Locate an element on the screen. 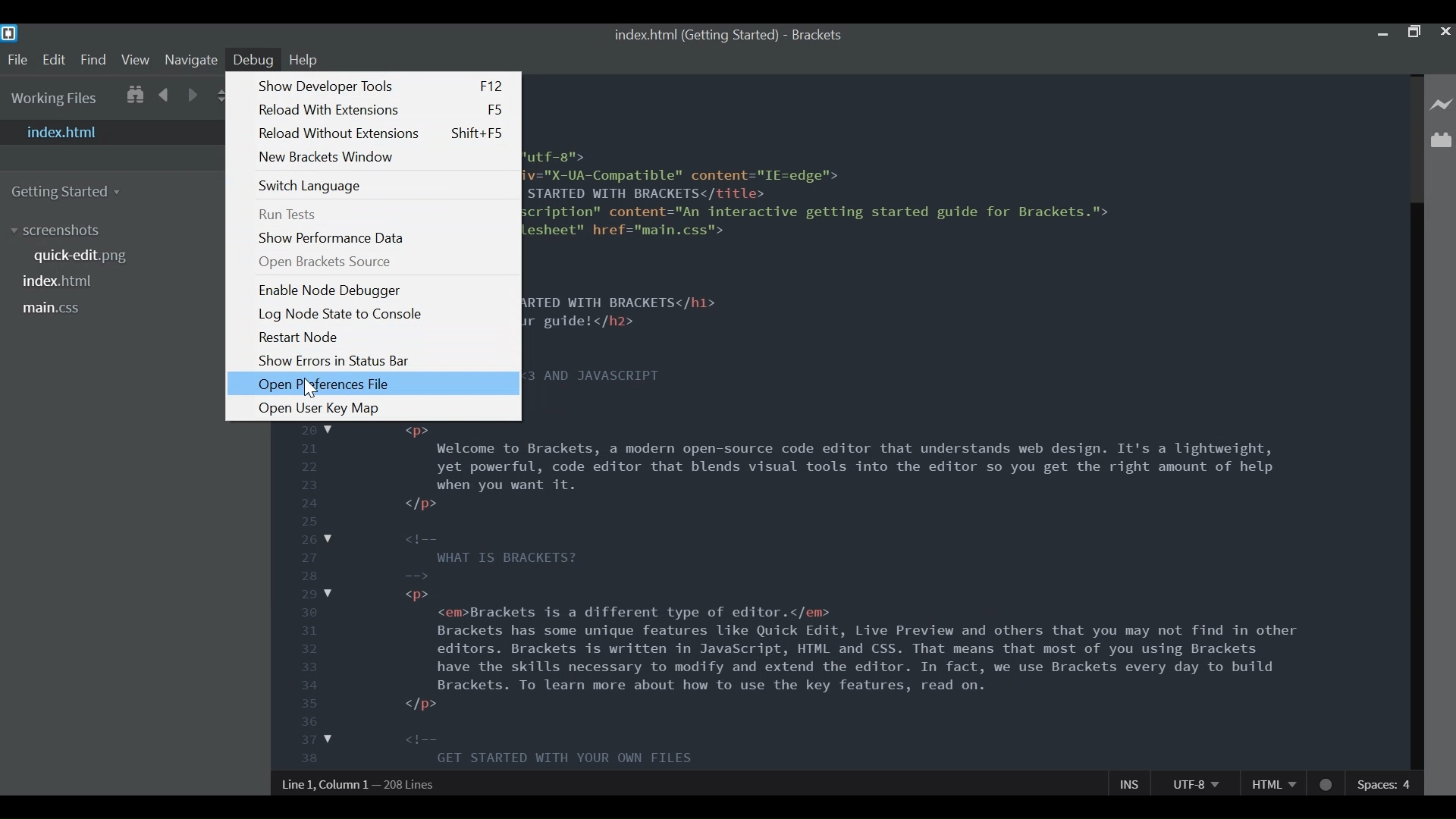 The width and height of the screenshot is (1456, 819). Show in File tree is located at coordinates (135, 96).